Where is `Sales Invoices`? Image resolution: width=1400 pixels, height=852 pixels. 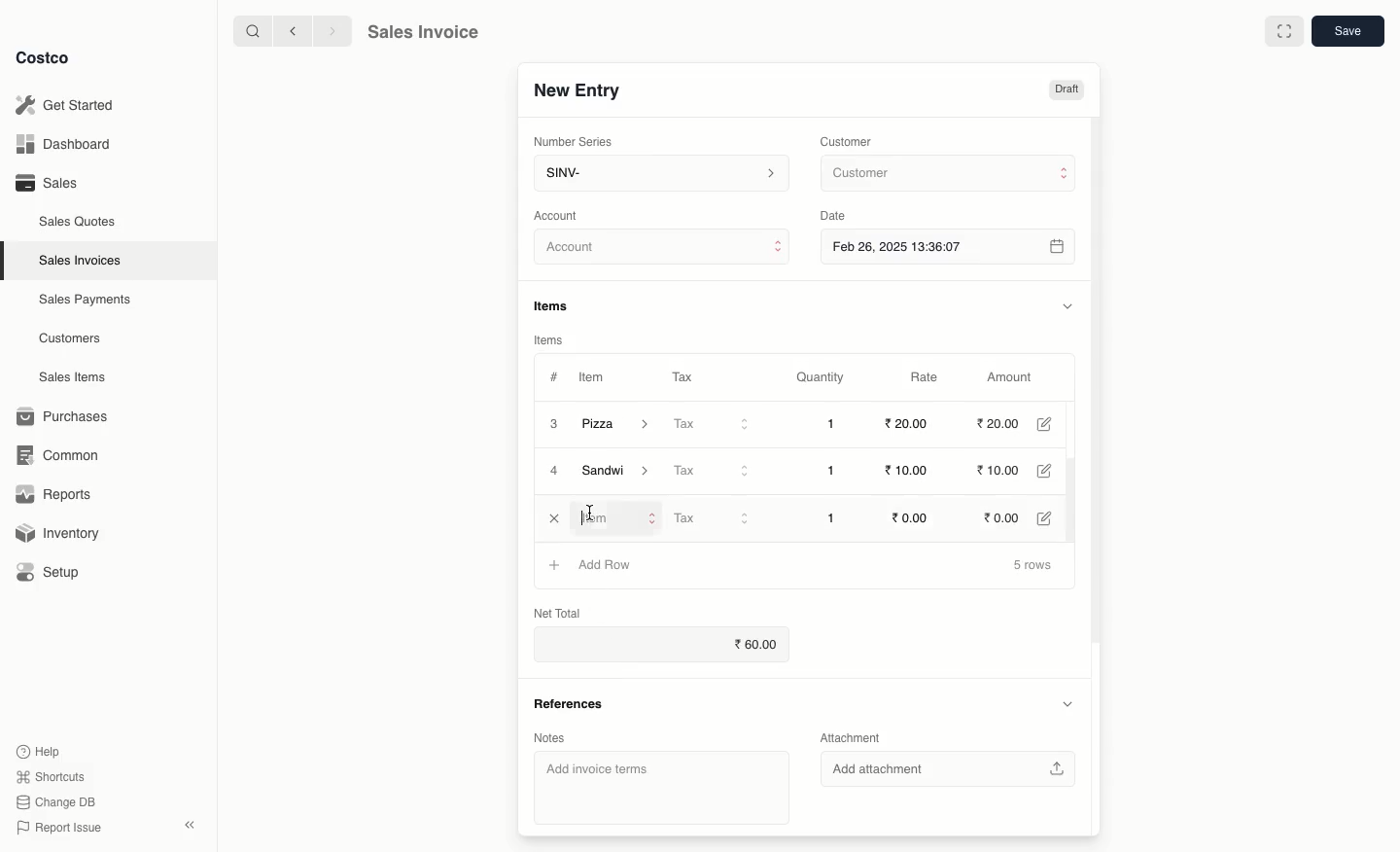 Sales Invoices is located at coordinates (81, 261).